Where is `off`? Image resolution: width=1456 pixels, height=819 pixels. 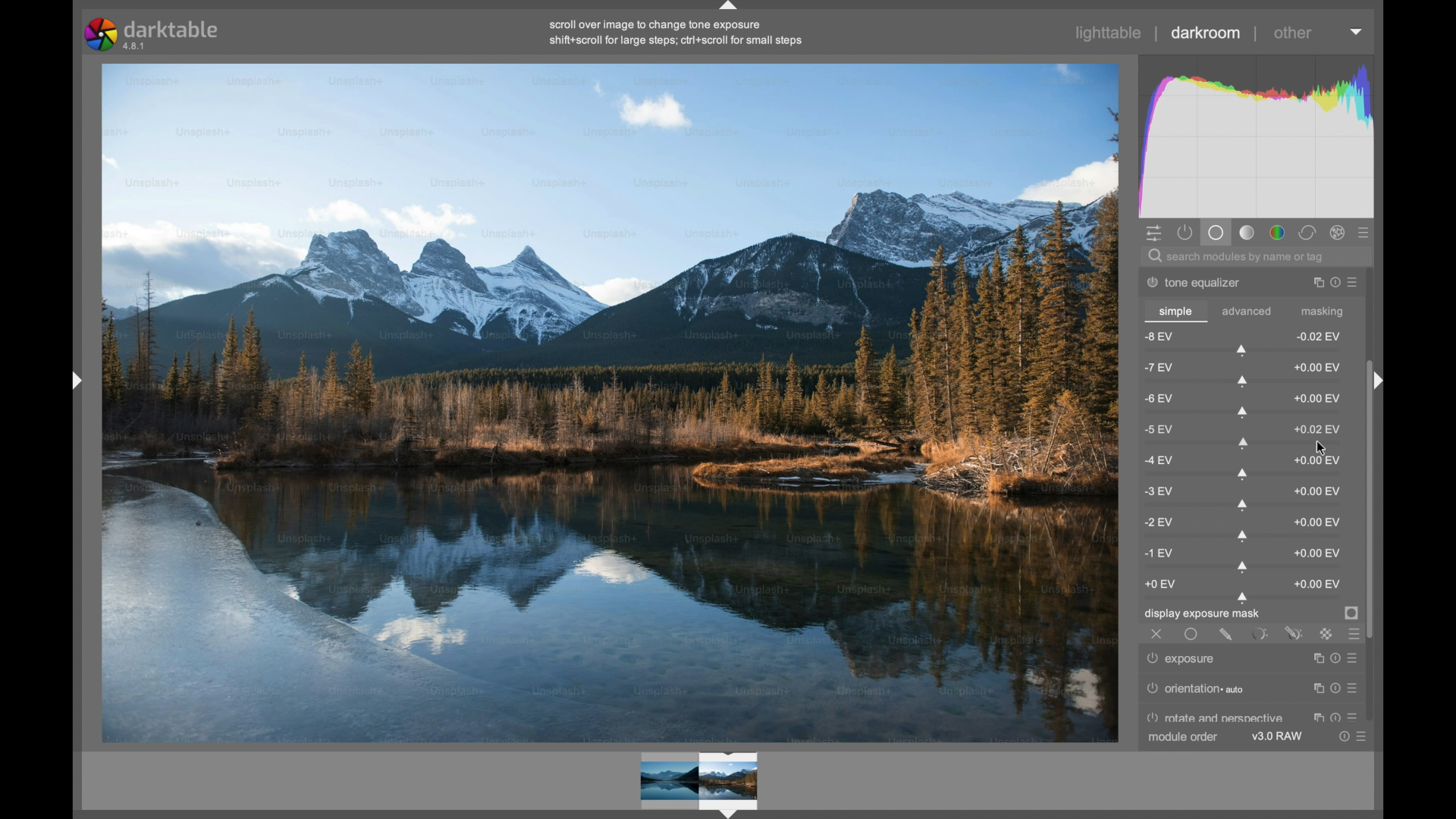
off is located at coordinates (1158, 634).